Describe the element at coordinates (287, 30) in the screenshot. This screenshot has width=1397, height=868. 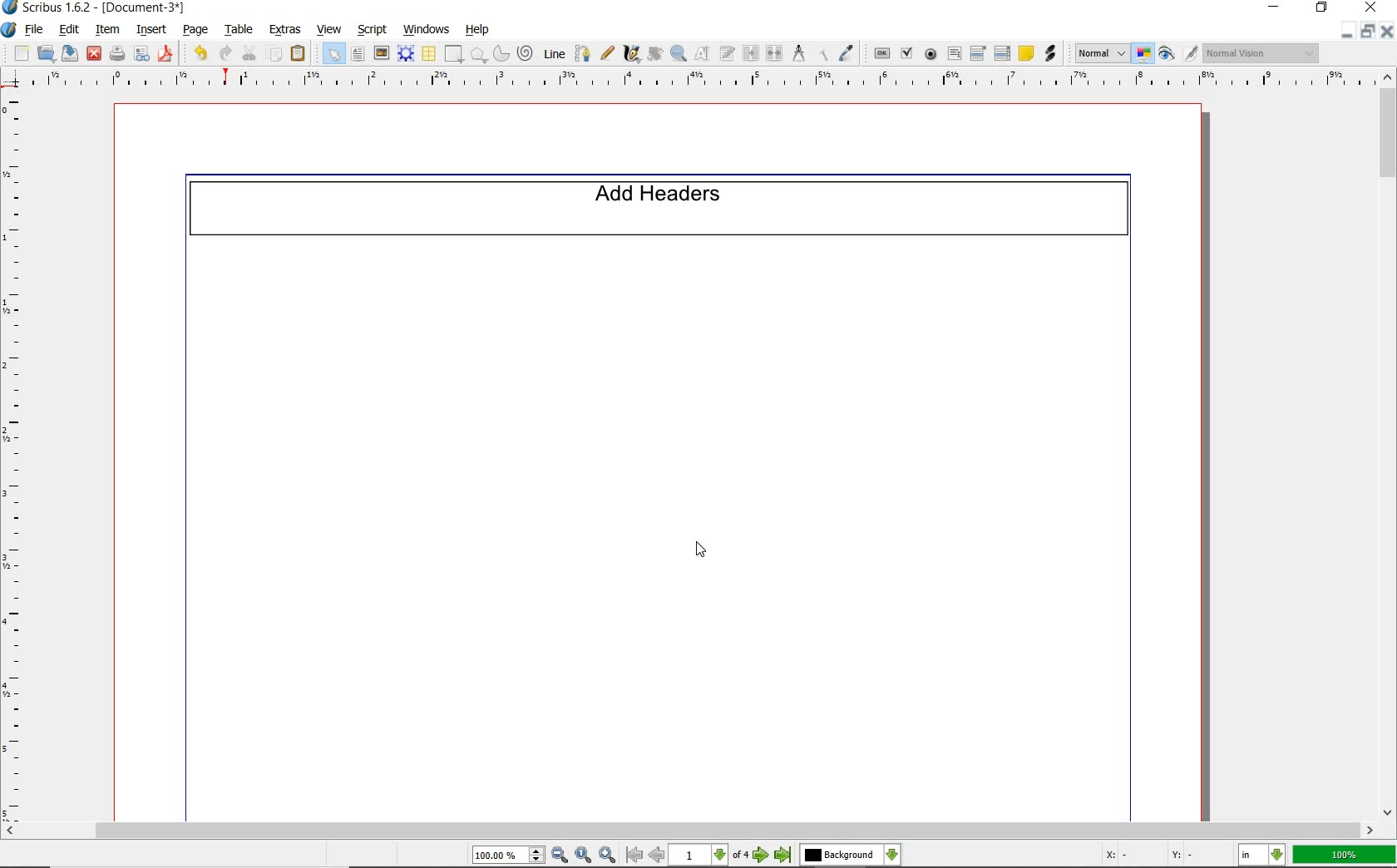
I see `extras` at that location.